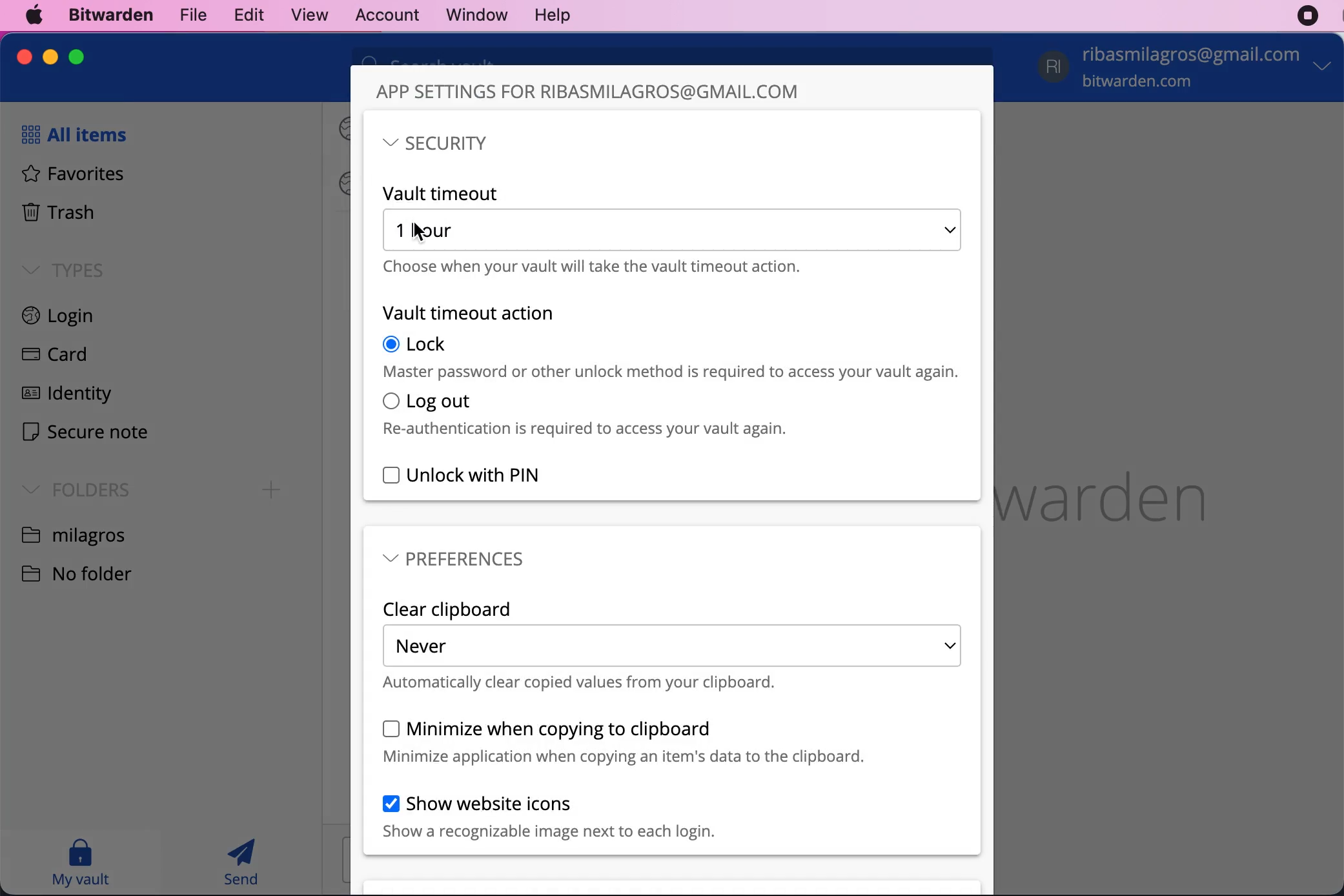 This screenshot has width=1344, height=896. I want to click on identity, so click(63, 396).